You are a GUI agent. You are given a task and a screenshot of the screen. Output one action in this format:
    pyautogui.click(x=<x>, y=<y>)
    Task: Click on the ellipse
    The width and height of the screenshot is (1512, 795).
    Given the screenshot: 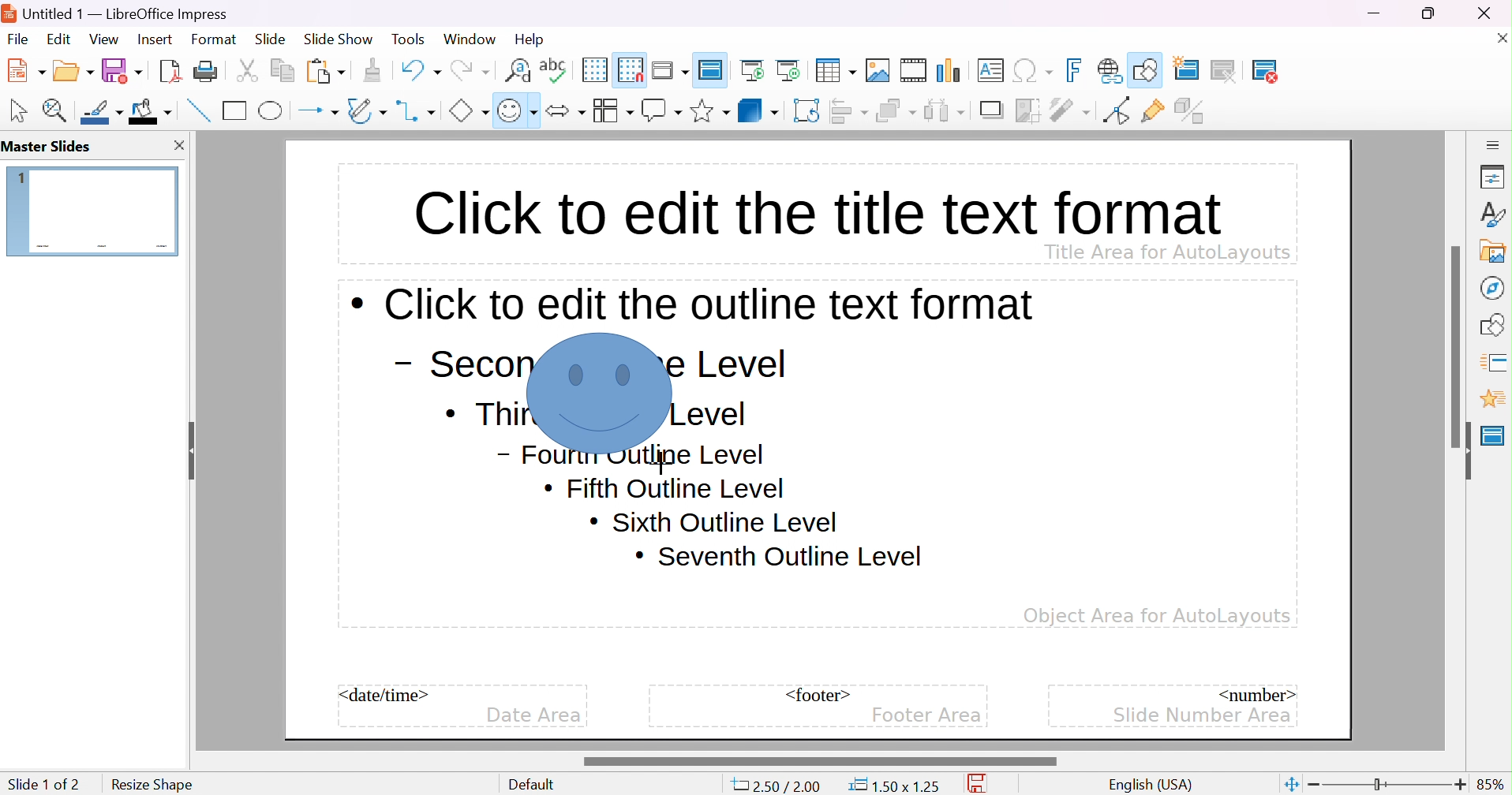 What is the action you would take?
    pyautogui.click(x=272, y=110)
    